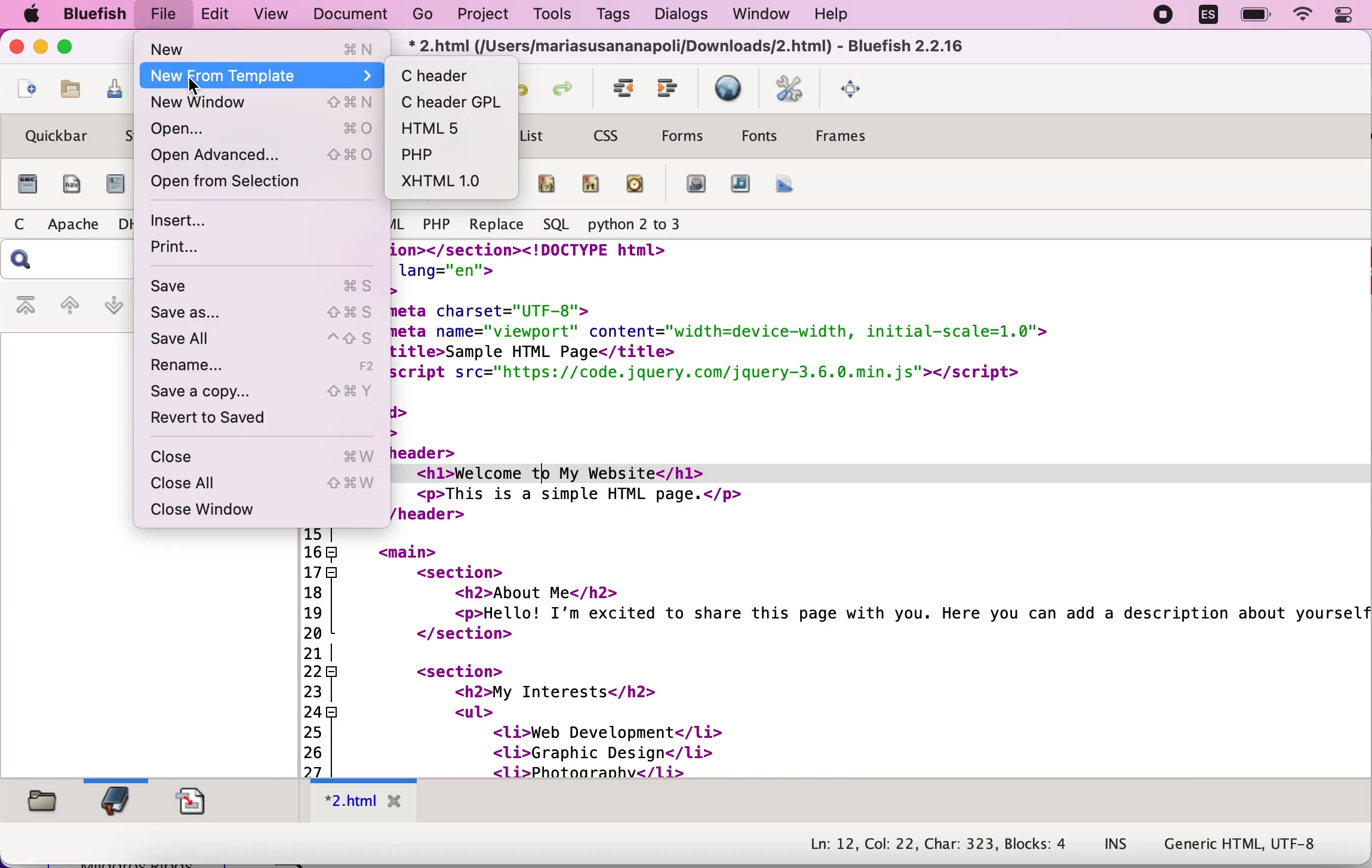 The image size is (1372, 868). What do you see at coordinates (270, 15) in the screenshot?
I see `view` at bounding box center [270, 15].